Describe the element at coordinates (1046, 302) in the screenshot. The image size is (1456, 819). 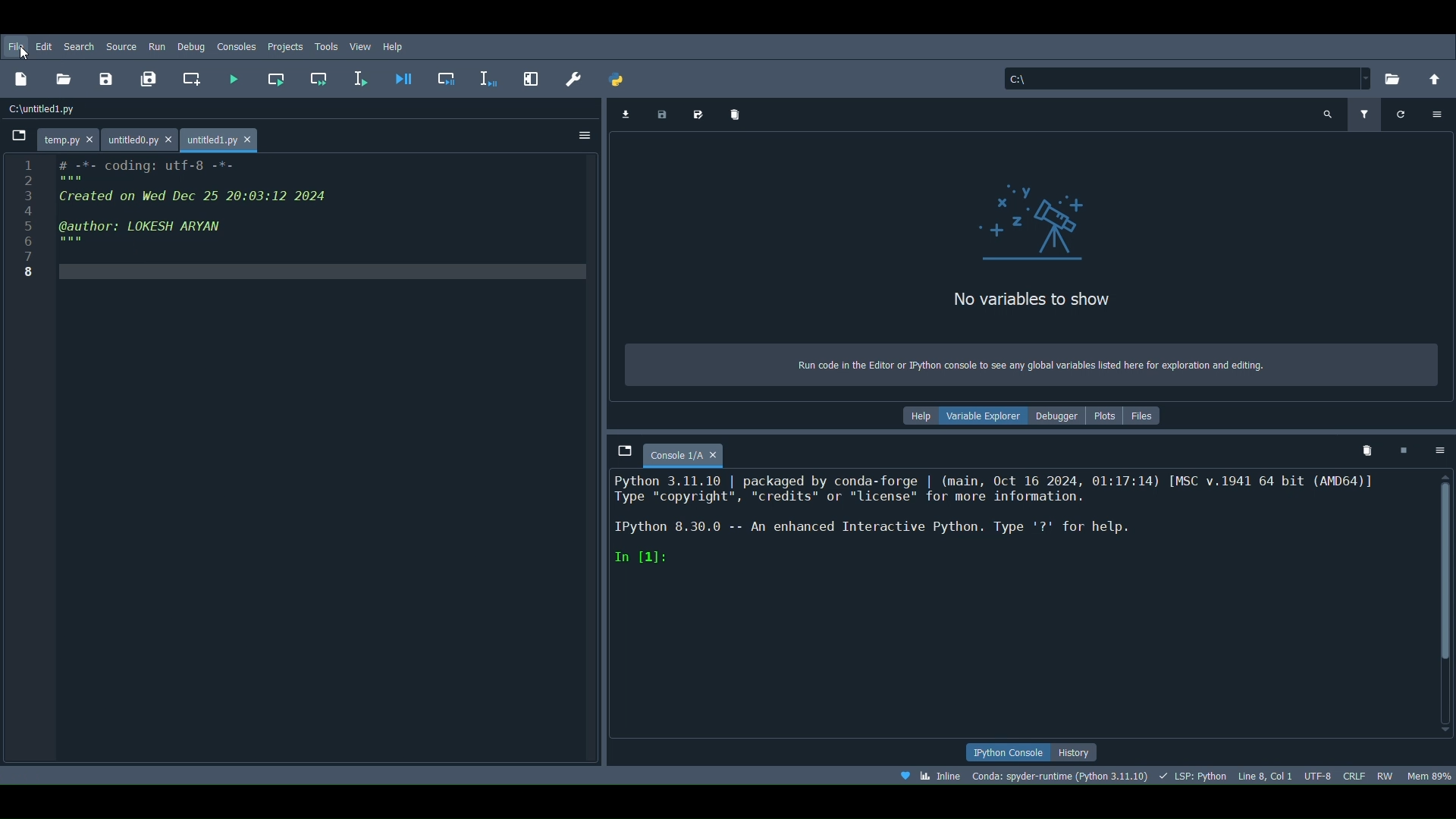
I see `No variables to show` at that location.